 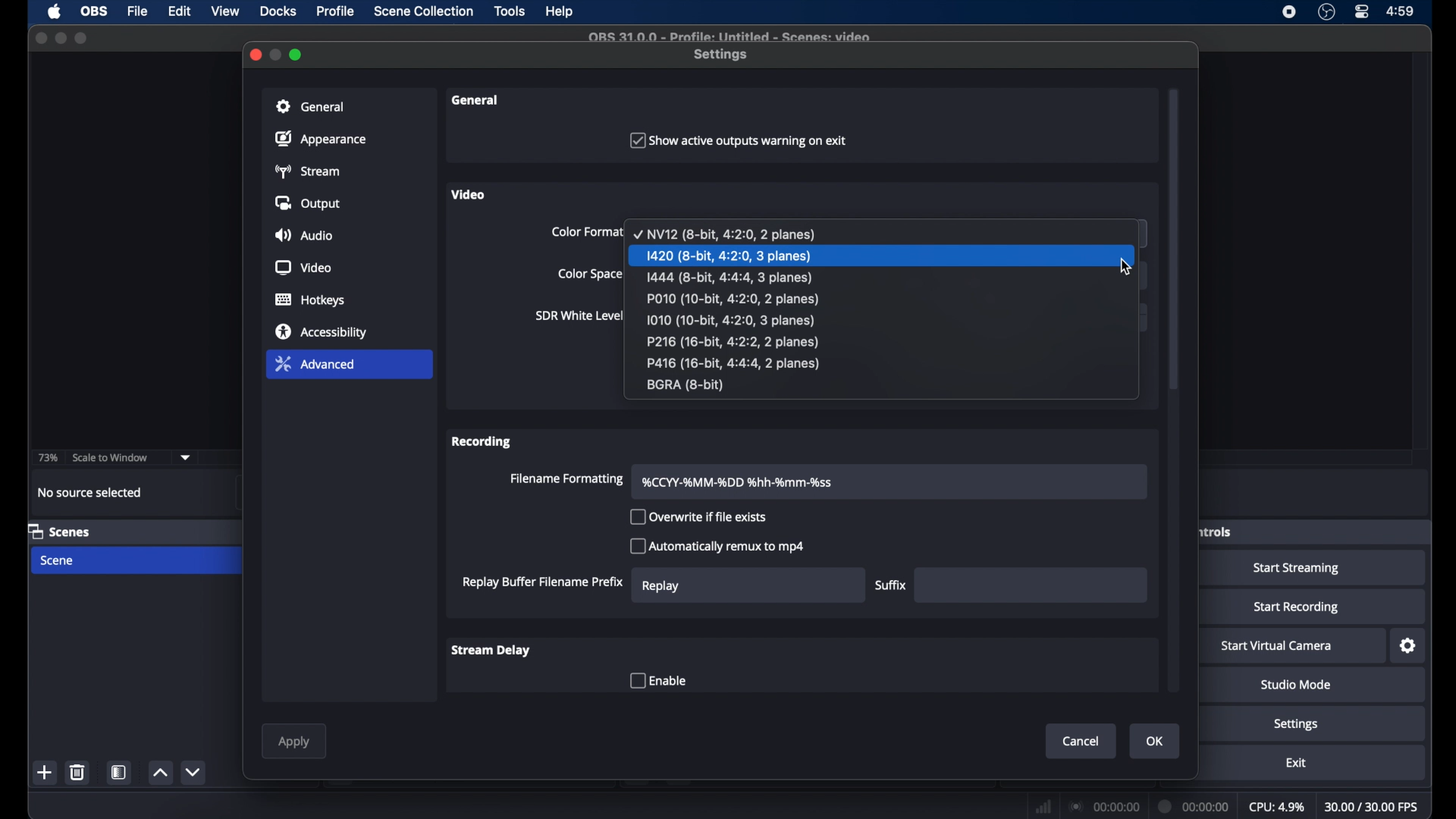 What do you see at coordinates (296, 742) in the screenshot?
I see `apply` at bounding box center [296, 742].